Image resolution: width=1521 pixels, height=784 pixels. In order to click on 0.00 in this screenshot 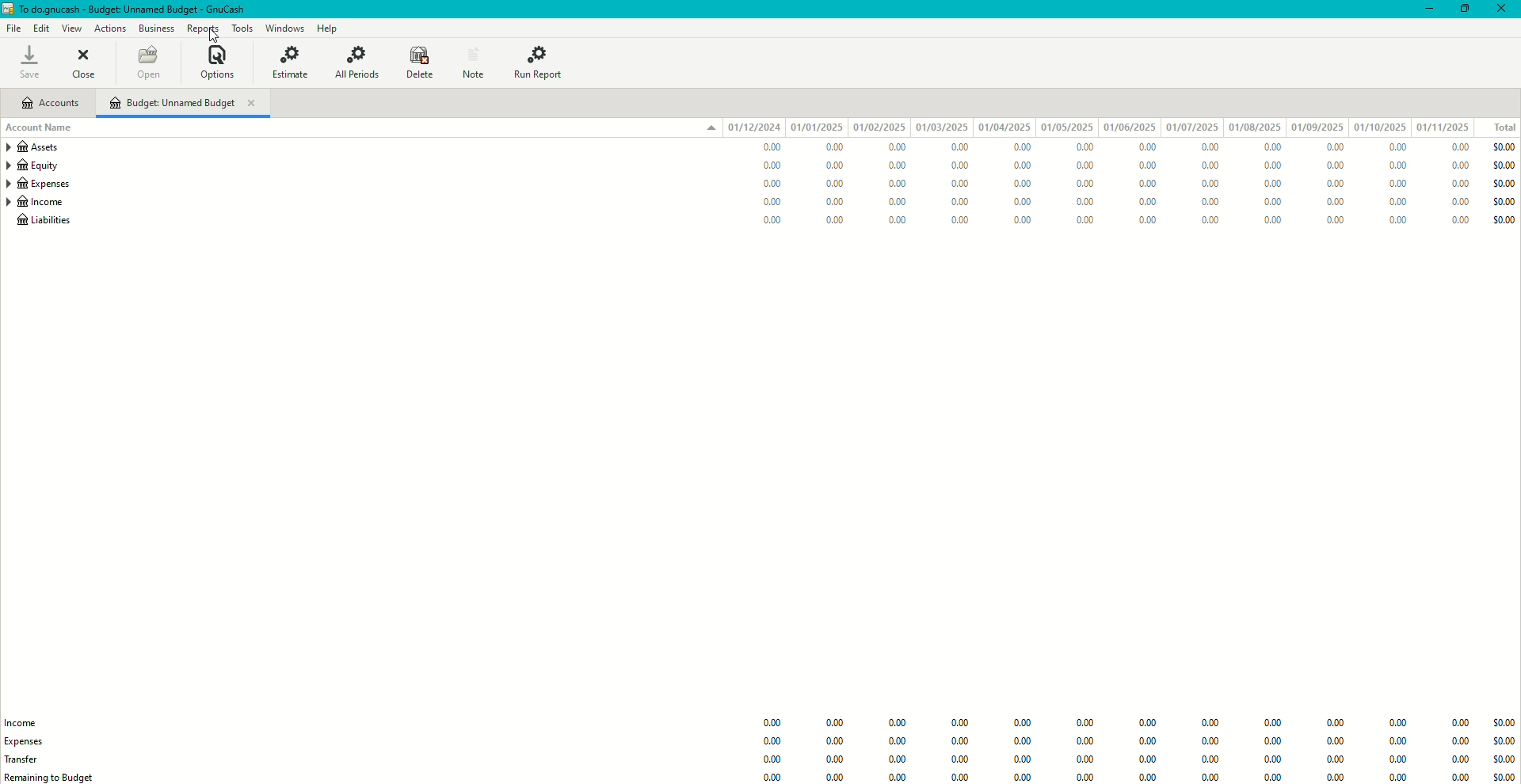, I will do `click(775, 761)`.